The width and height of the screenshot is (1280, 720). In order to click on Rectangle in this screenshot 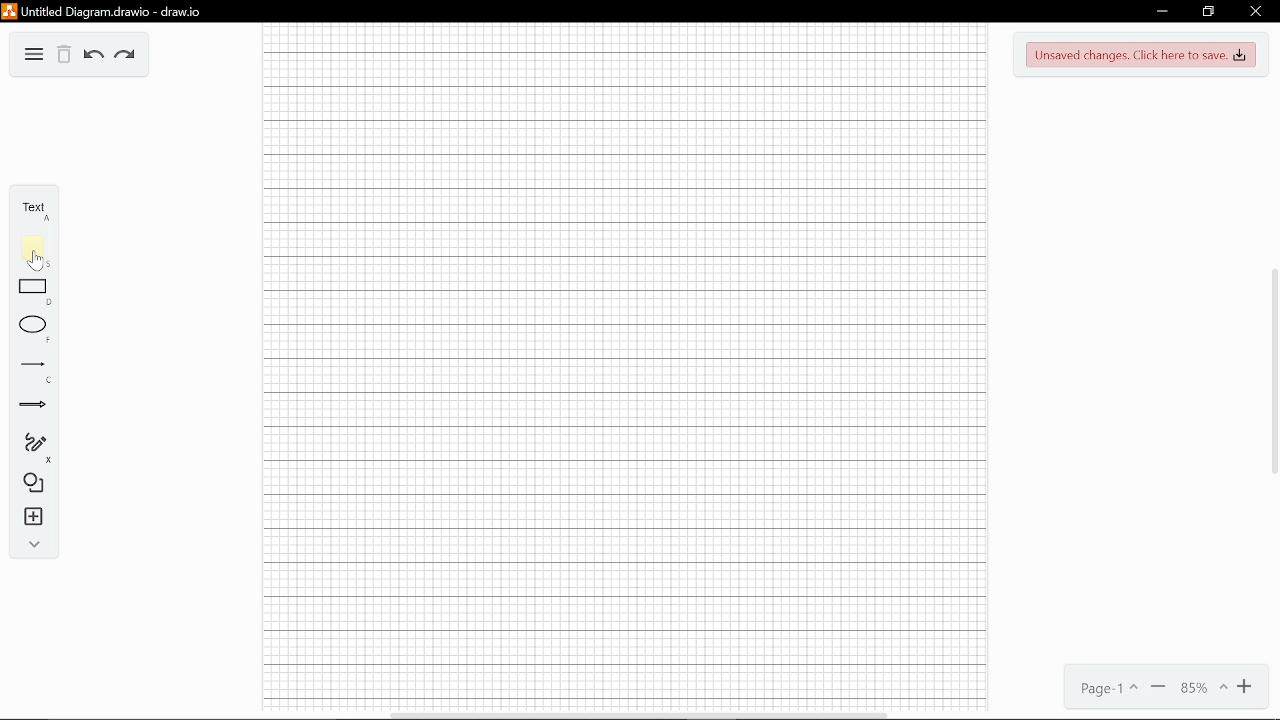, I will do `click(34, 286)`.